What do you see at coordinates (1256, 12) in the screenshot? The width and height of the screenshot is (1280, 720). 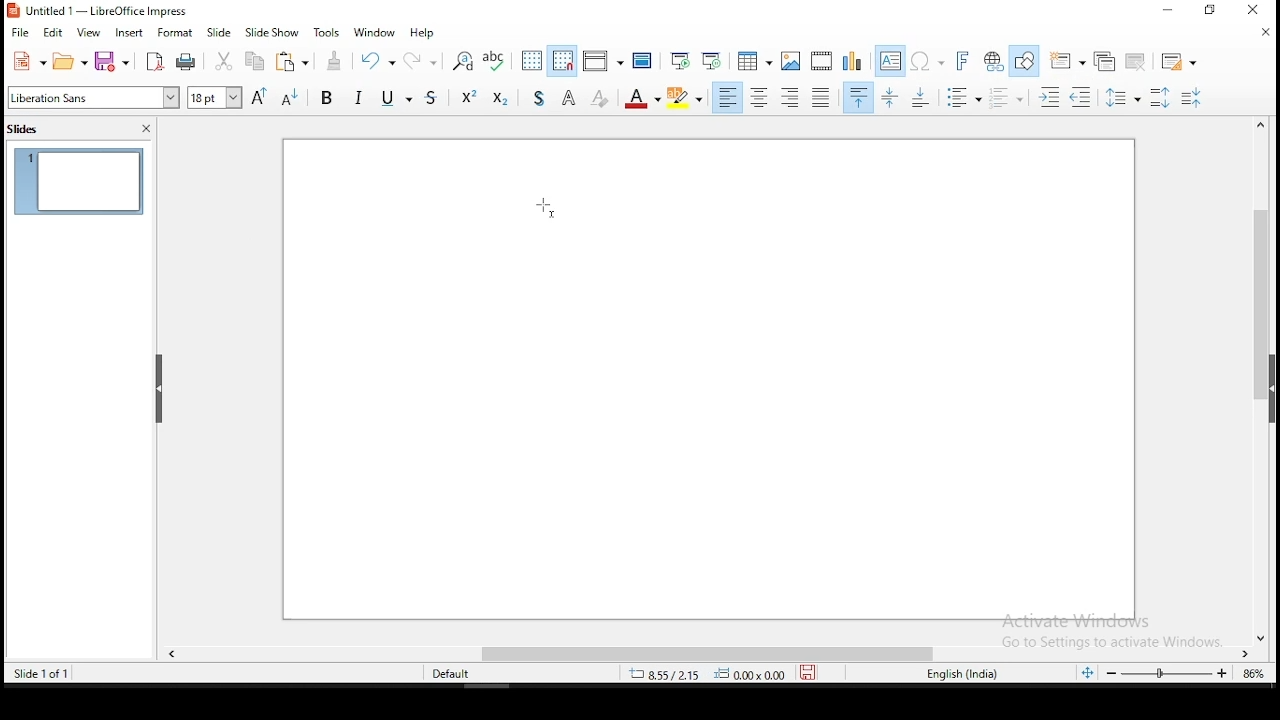 I see `close window` at bounding box center [1256, 12].